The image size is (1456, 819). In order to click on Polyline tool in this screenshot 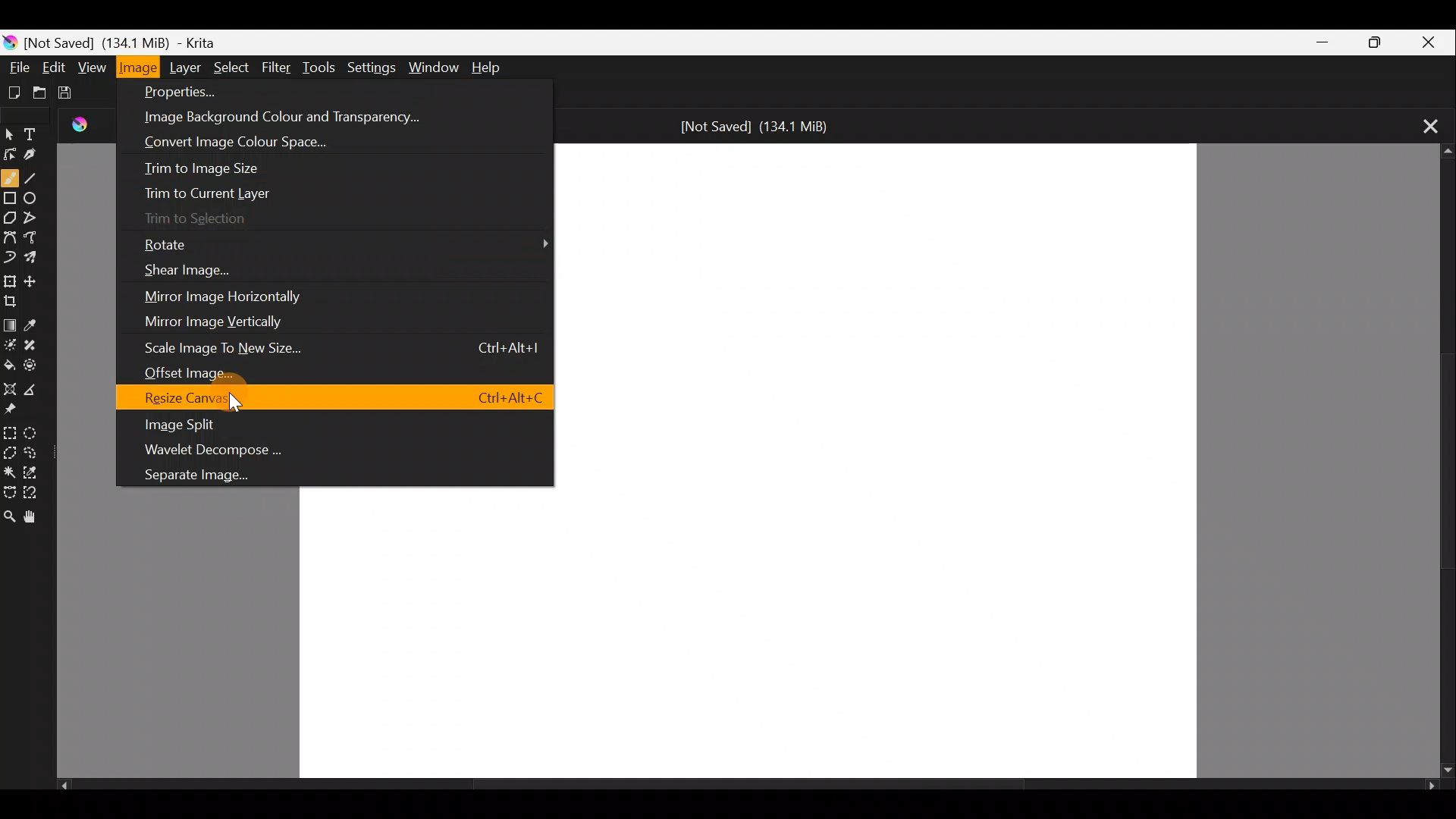, I will do `click(36, 213)`.